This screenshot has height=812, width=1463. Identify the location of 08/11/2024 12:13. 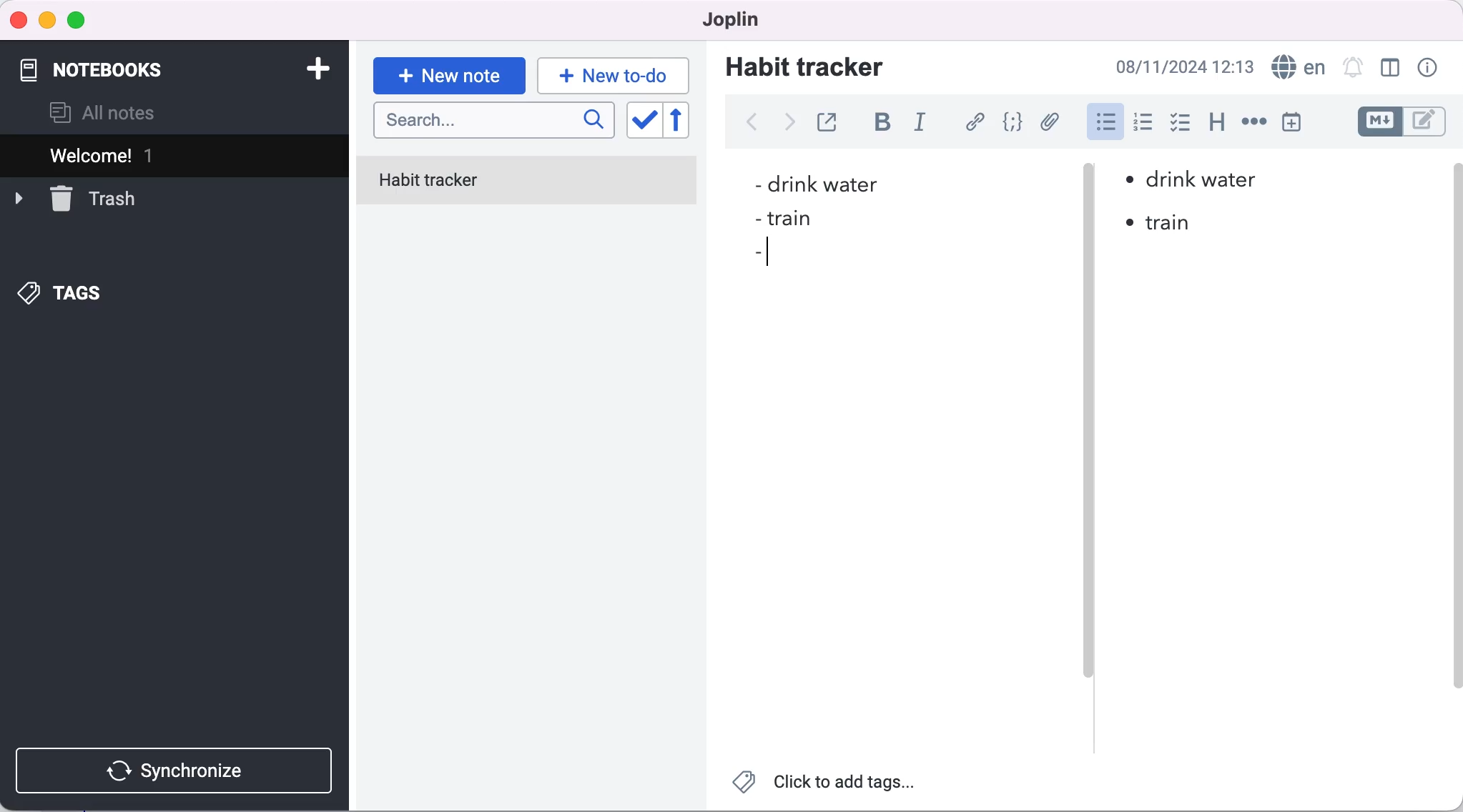
(1181, 66).